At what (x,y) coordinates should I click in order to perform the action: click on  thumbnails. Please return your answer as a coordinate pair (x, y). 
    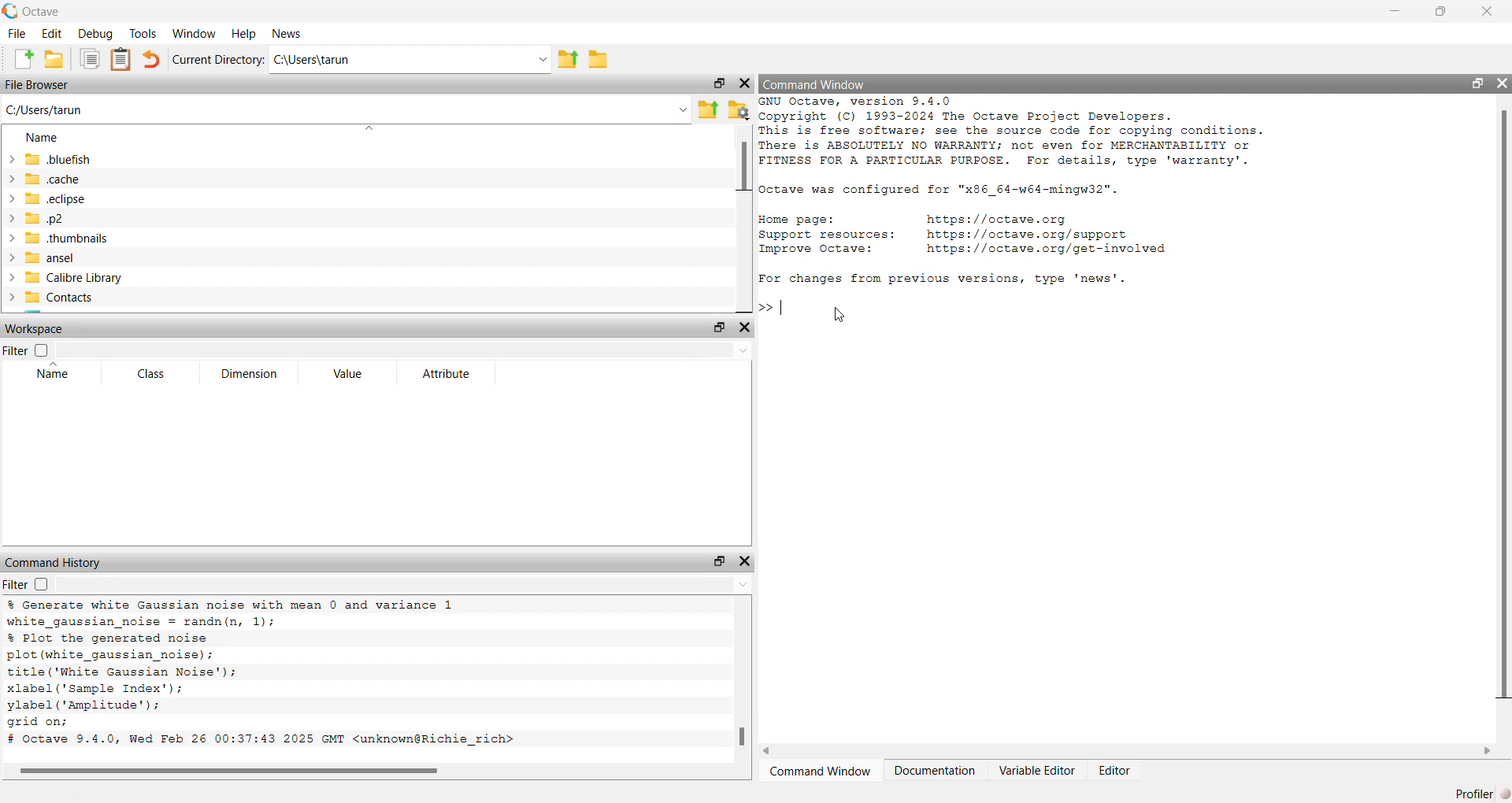
    Looking at the image, I should click on (64, 238).